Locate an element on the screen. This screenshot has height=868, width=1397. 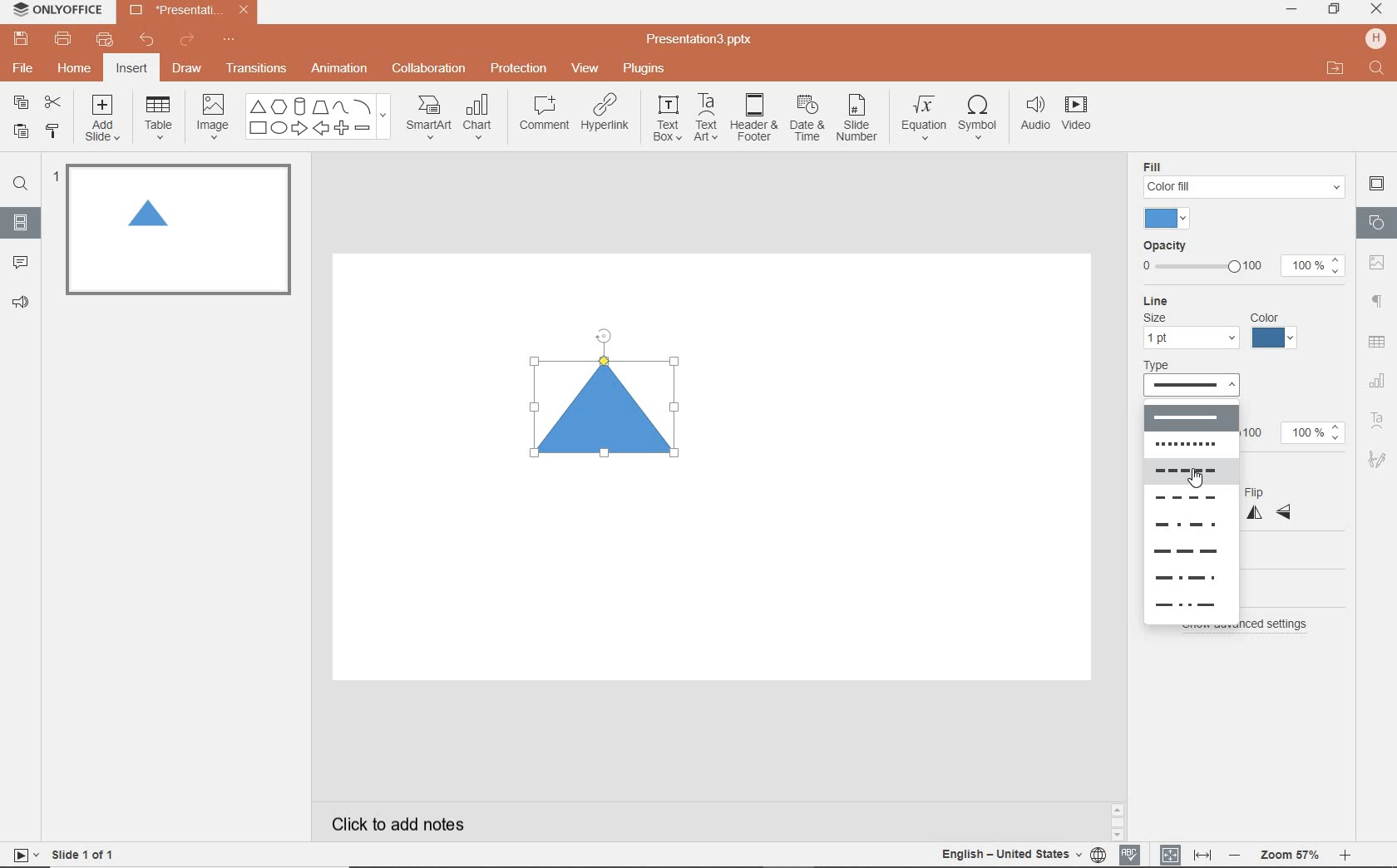
COMMENTS is located at coordinates (20, 261).